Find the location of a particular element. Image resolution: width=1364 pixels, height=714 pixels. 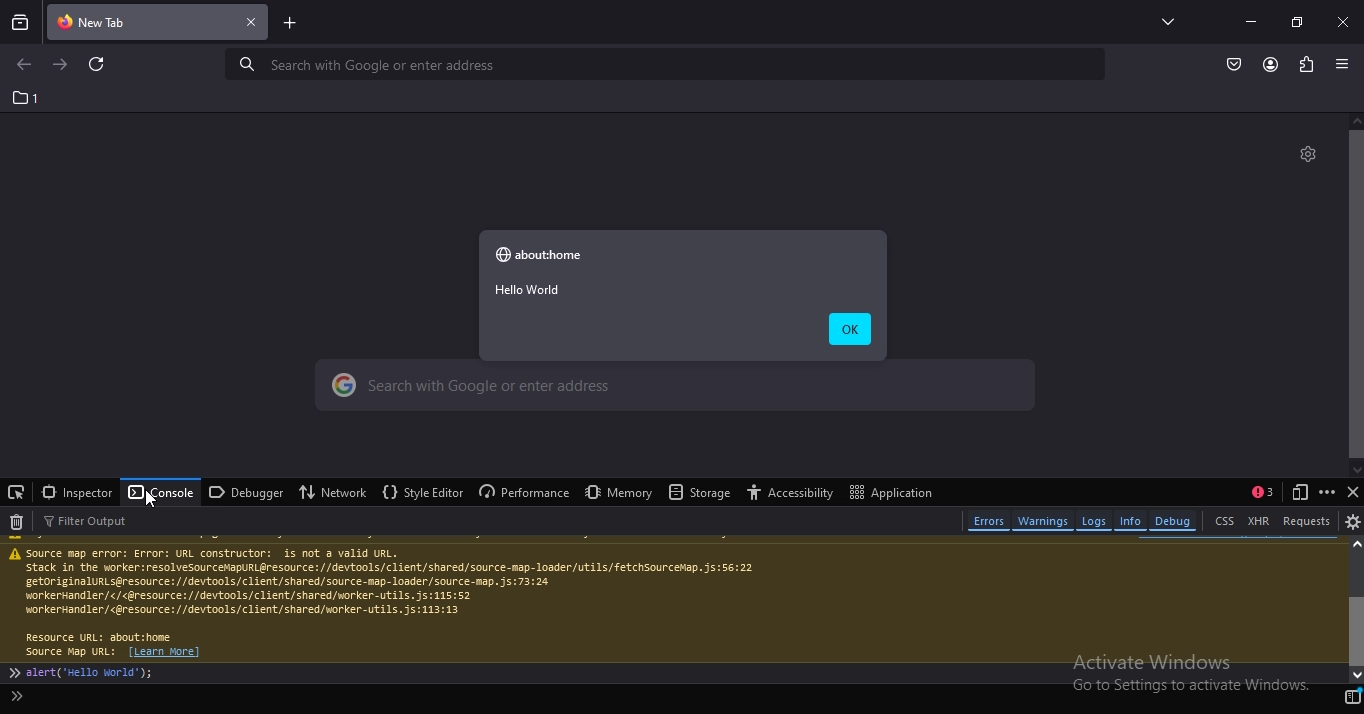

inspector is located at coordinates (76, 493).